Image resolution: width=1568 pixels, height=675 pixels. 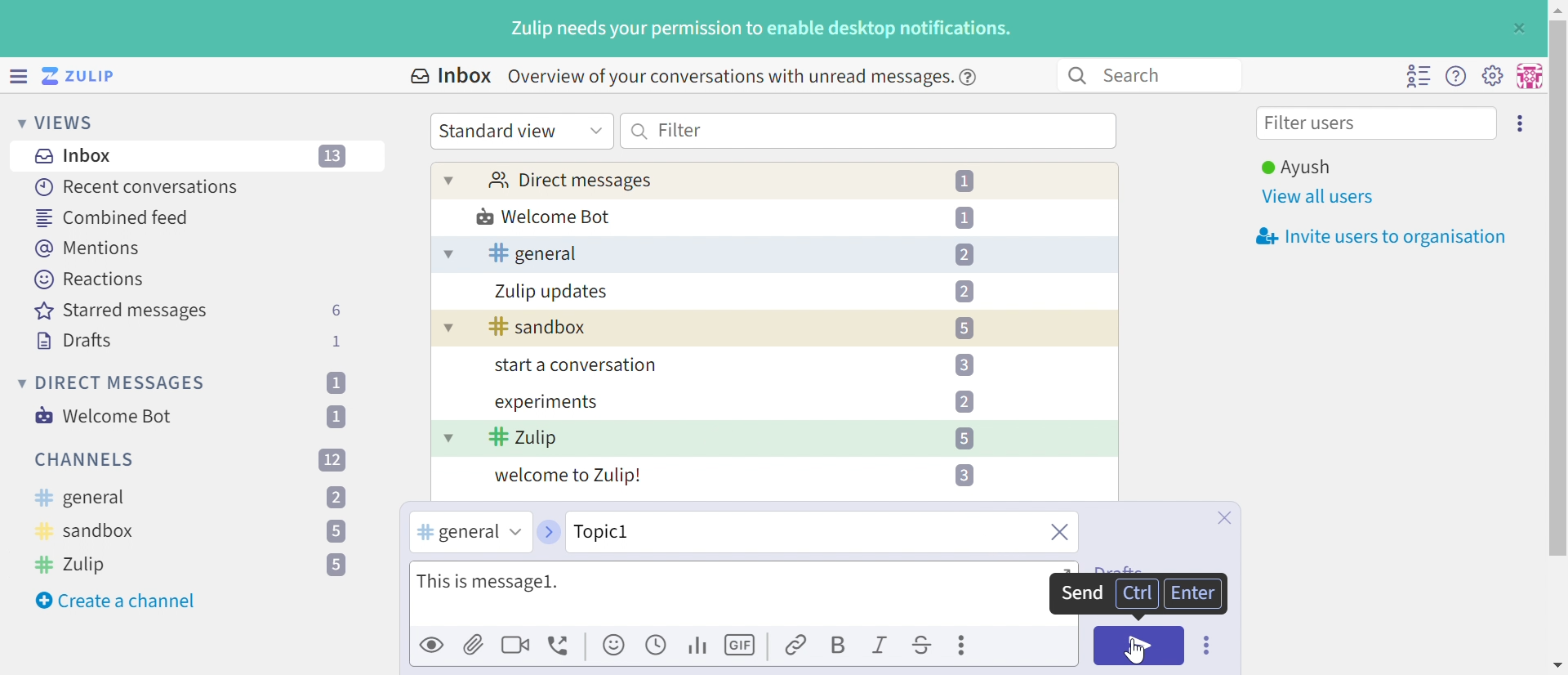 What do you see at coordinates (1418, 76) in the screenshot?
I see `Hide user list` at bounding box center [1418, 76].